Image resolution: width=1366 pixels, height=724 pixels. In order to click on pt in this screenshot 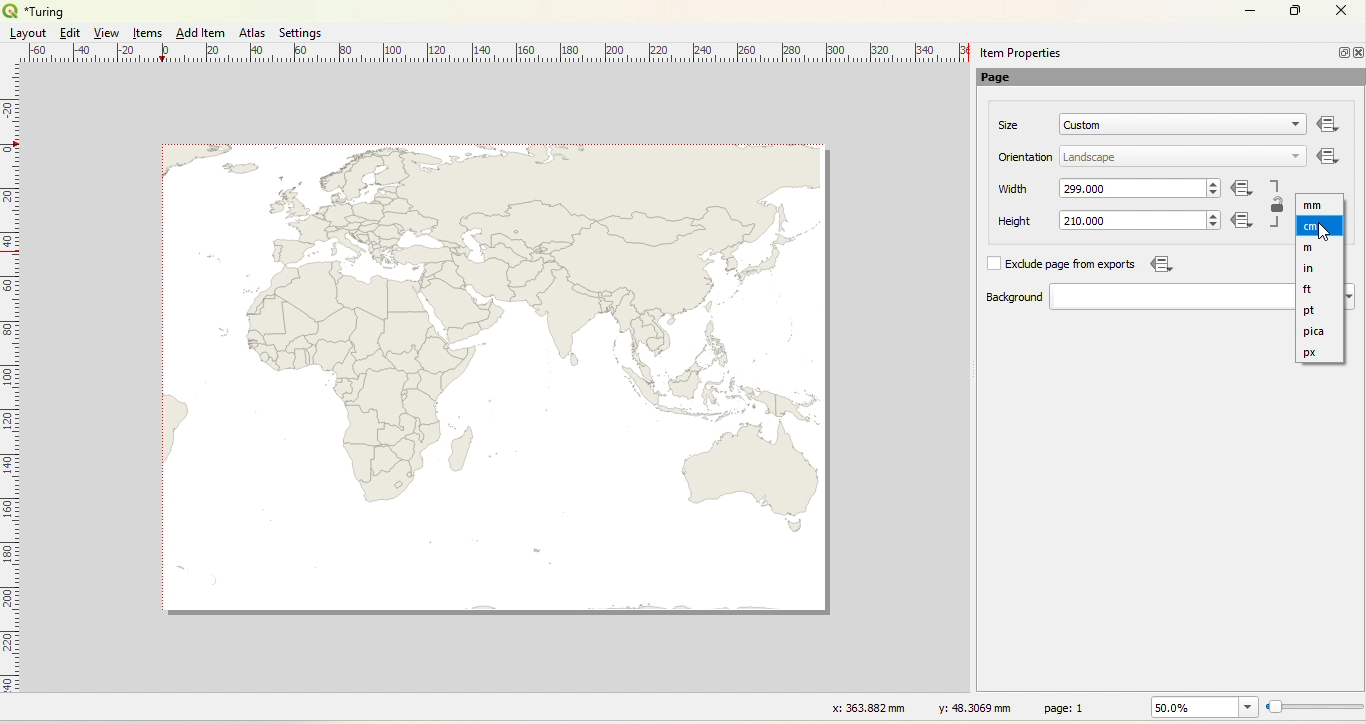, I will do `click(1310, 310)`.